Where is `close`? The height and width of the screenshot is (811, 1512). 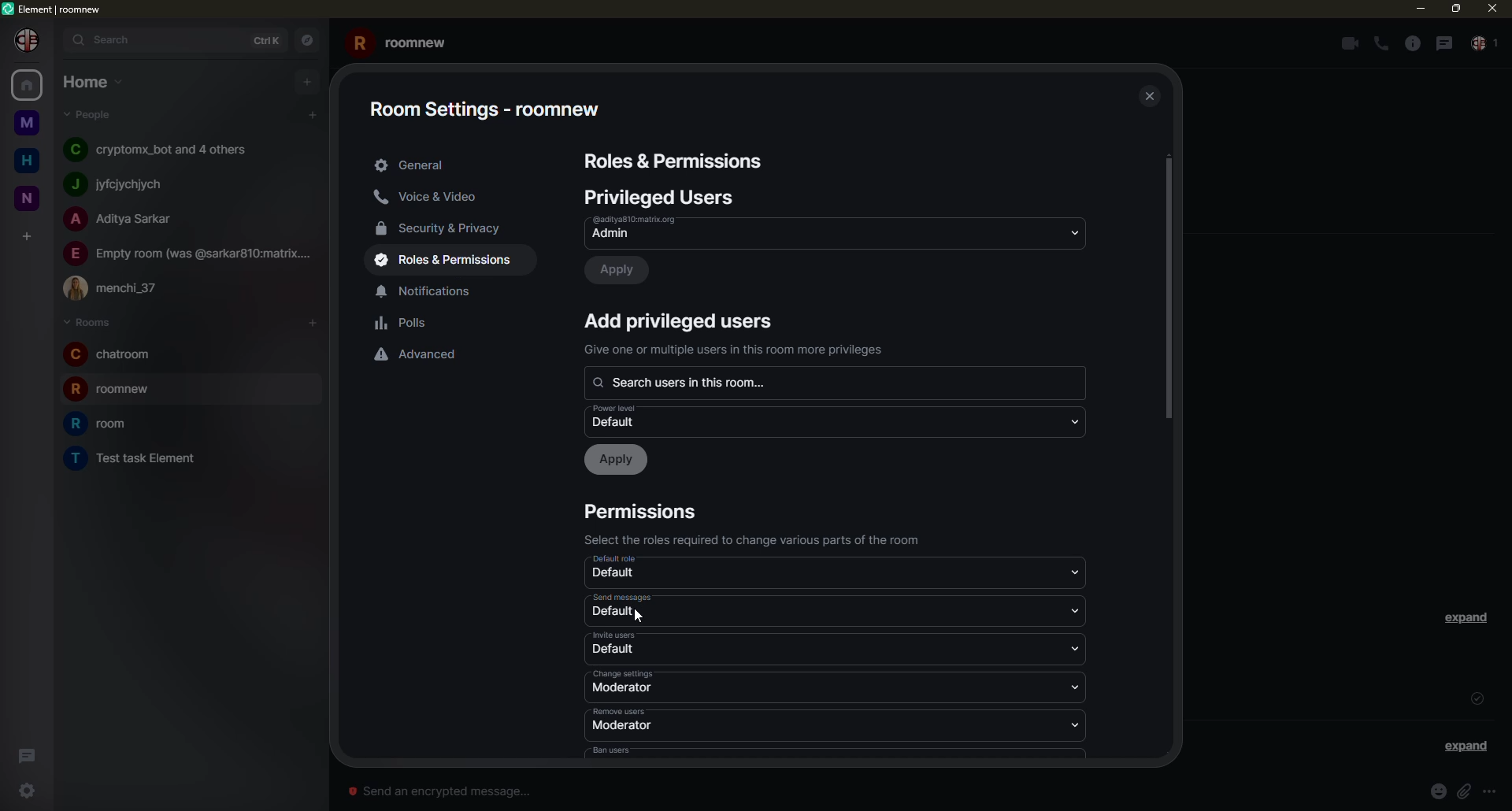
close is located at coordinates (1490, 8).